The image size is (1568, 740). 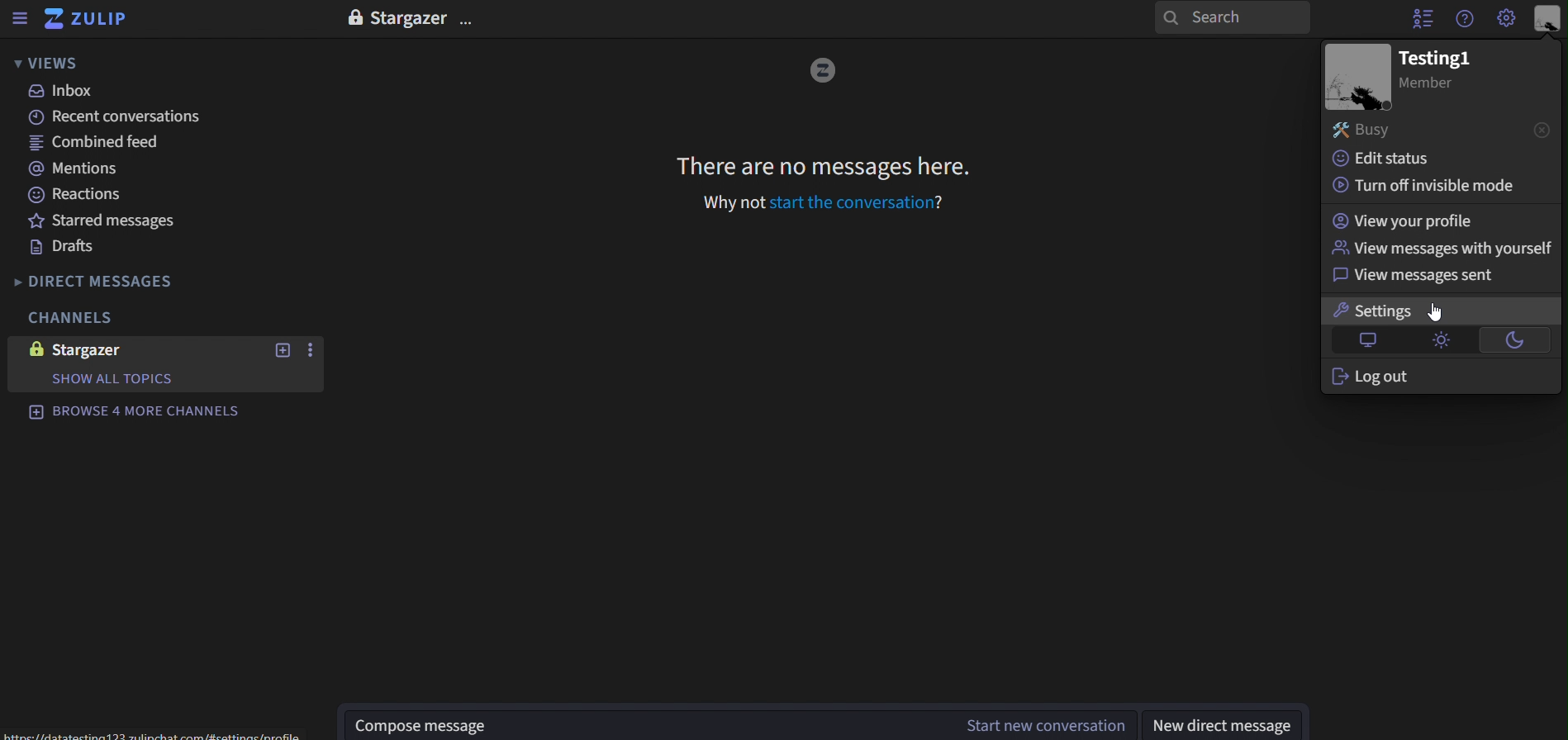 I want to click on search, so click(x=1235, y=17).